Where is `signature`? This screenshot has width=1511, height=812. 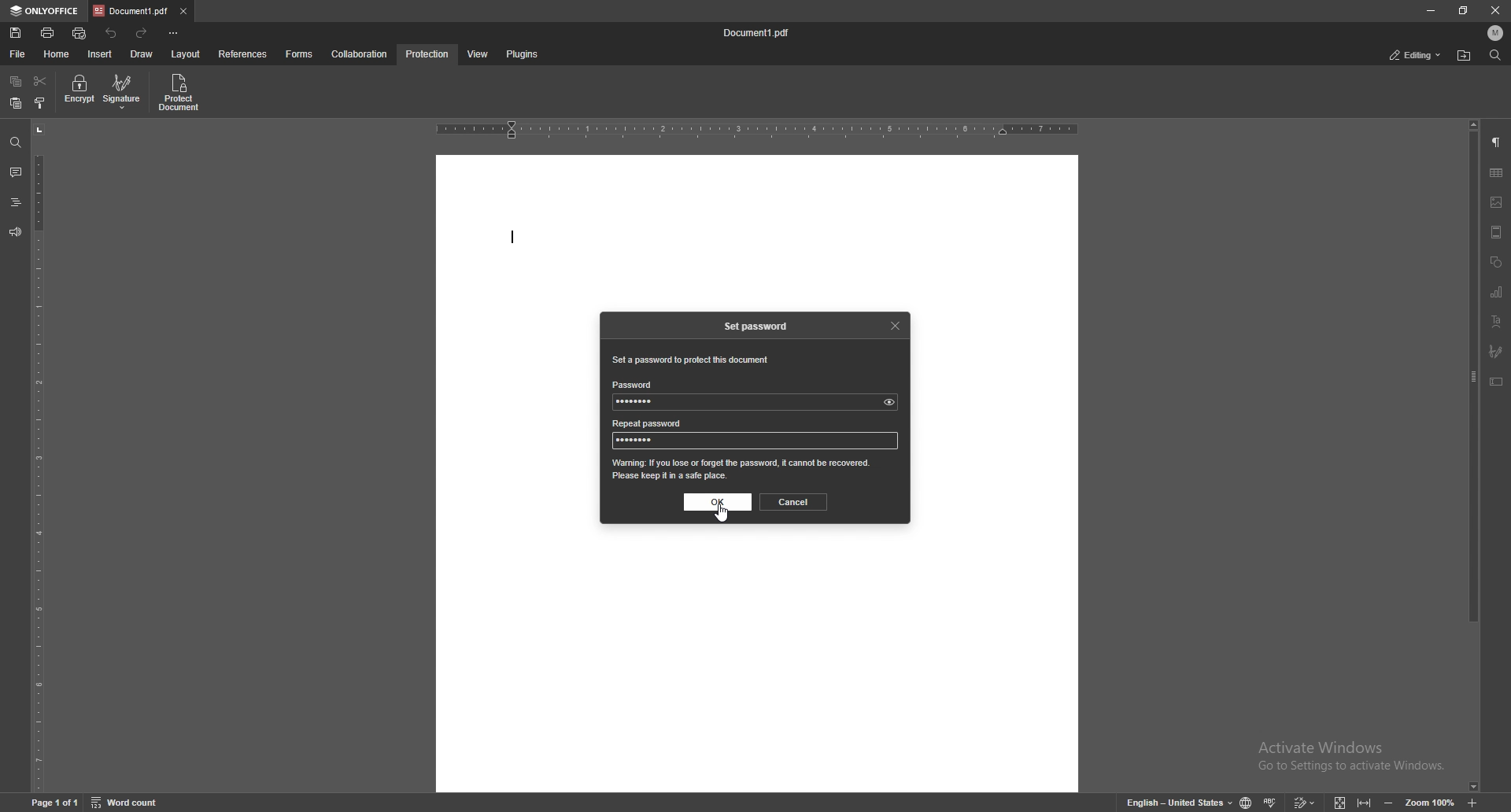 signature is located at coordinates (128, 91).